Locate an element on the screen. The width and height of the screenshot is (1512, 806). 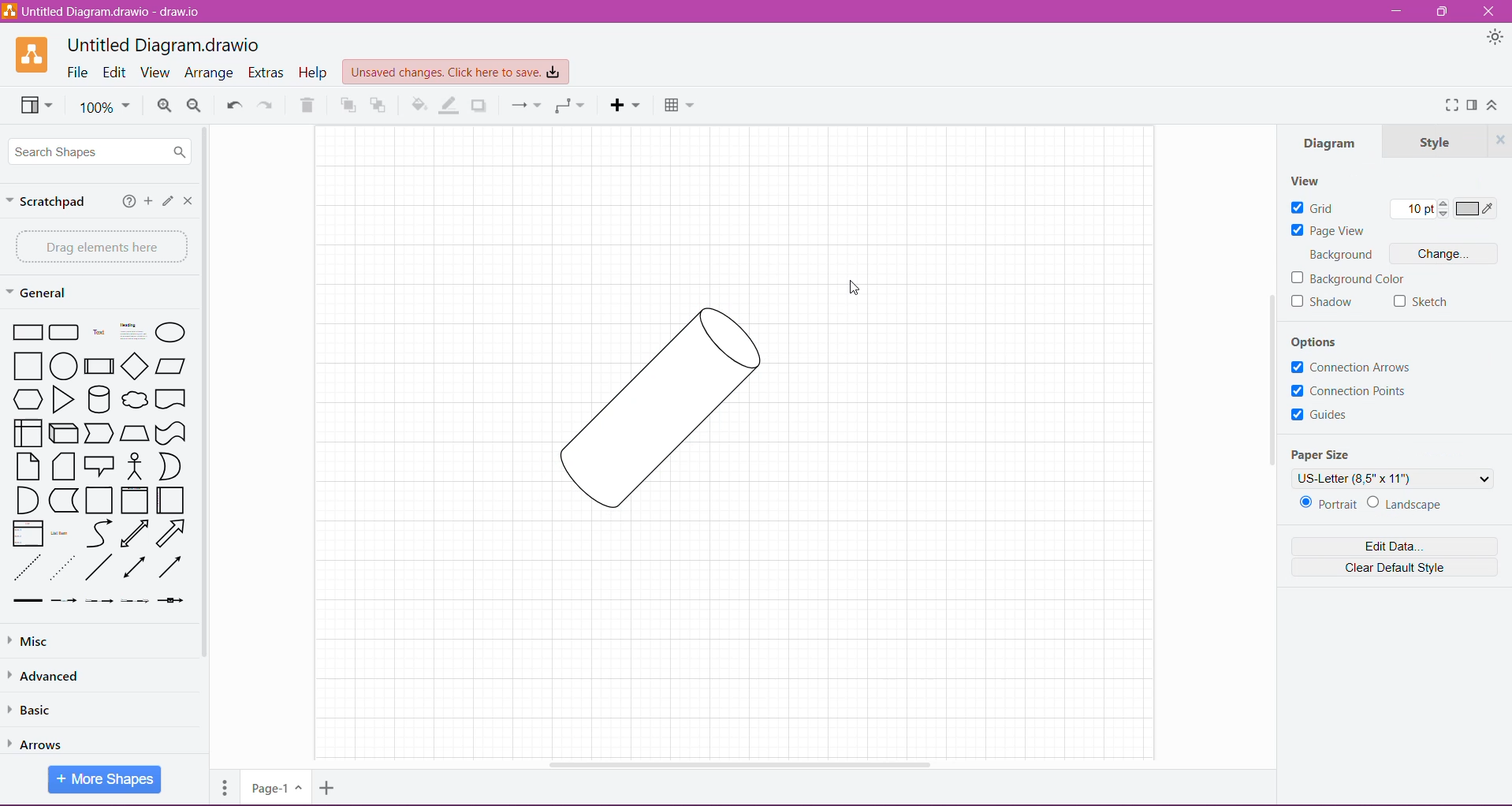
View is located at coordinates (34, 107).